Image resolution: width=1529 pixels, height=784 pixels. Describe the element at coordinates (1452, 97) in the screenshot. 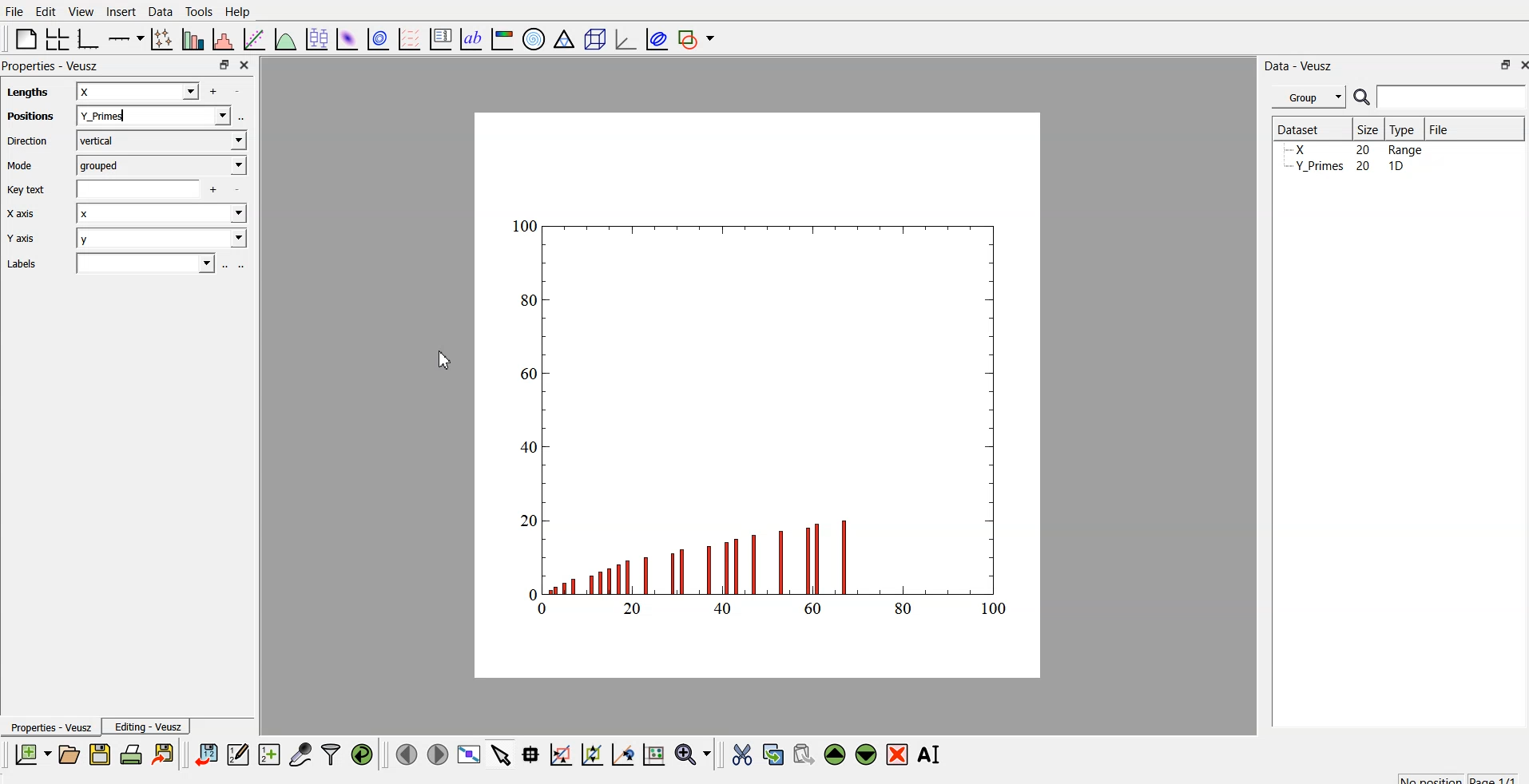

I see `search bar` at that location.